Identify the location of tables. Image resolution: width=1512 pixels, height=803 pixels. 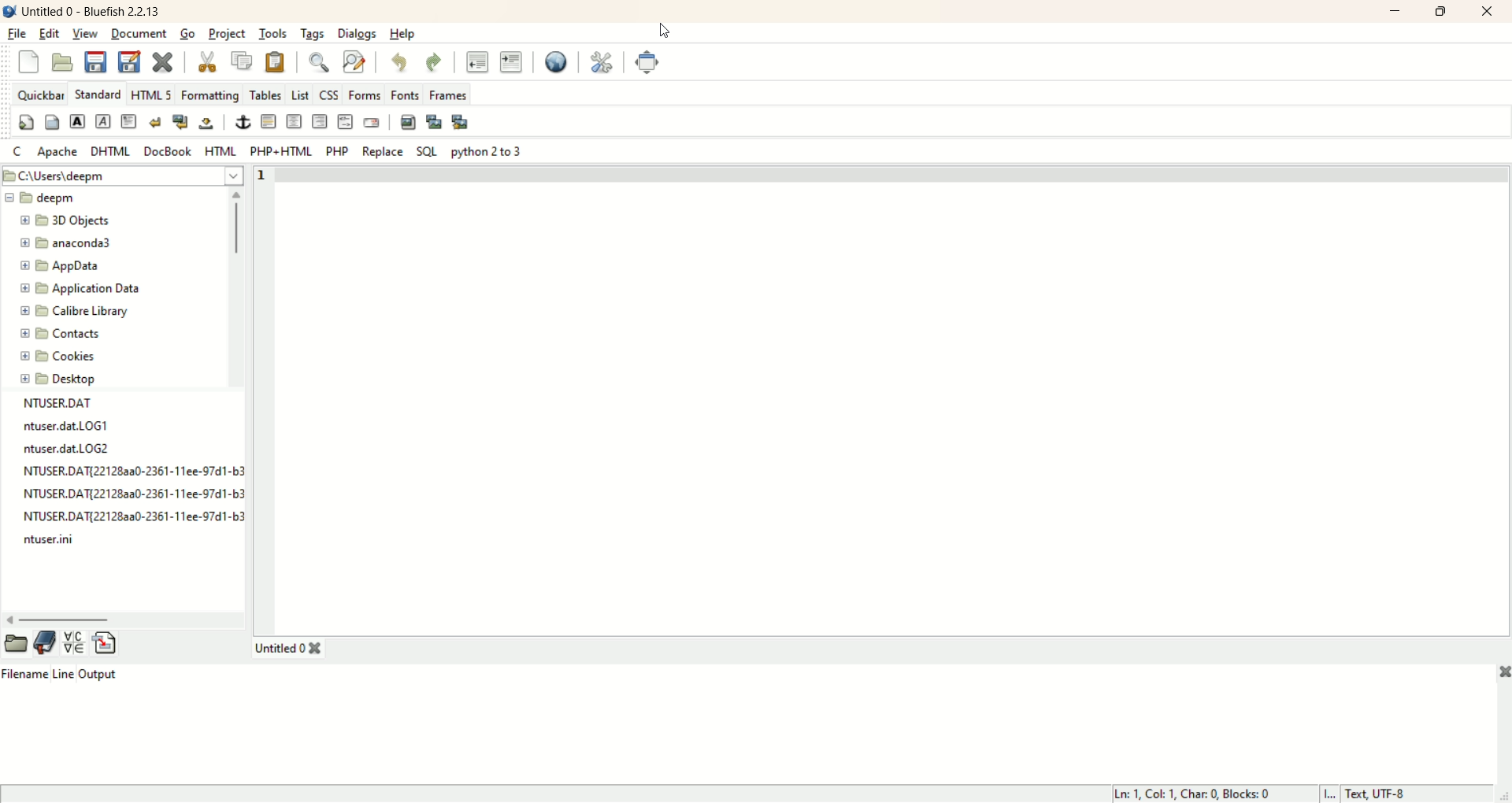
(268, 96).